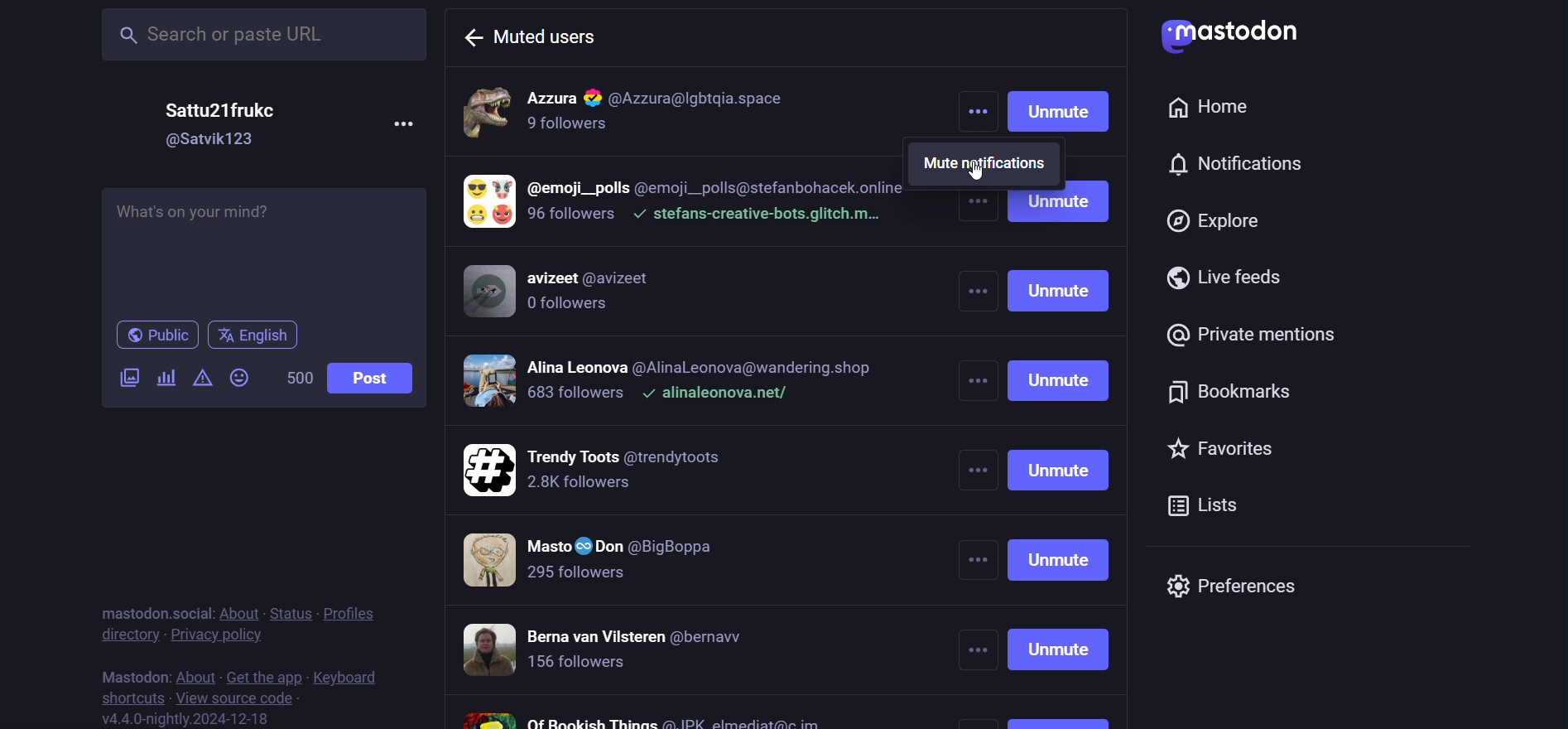 This screenshot has height=729, width=1568. I want to click on content warning, so click(202, 376).